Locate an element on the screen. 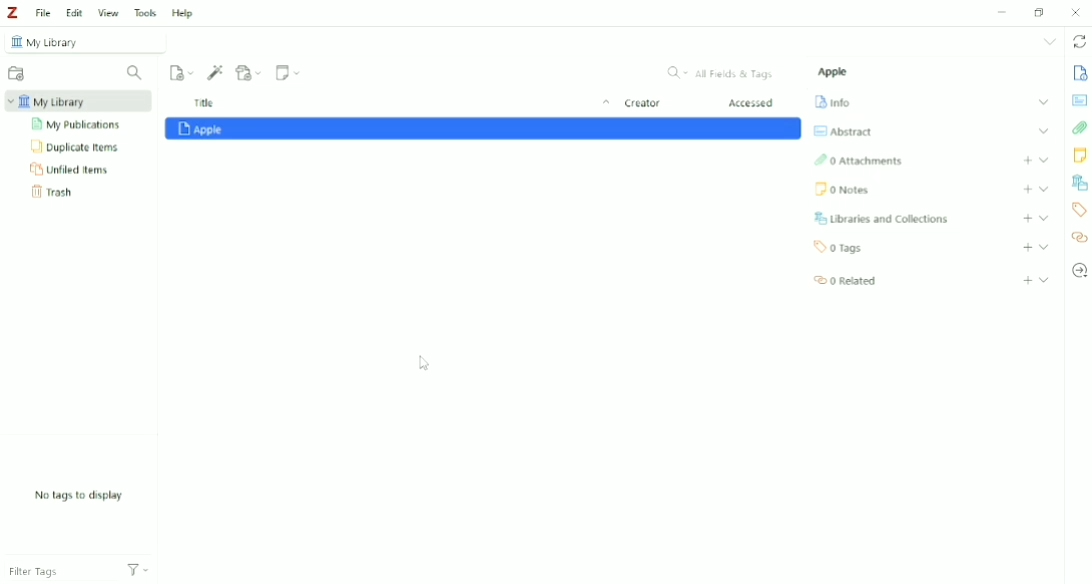 Image resolution: width=1092 pixels, height=584 pixels. Add Item (S) by Identifier is located at coordinates (216, 72).